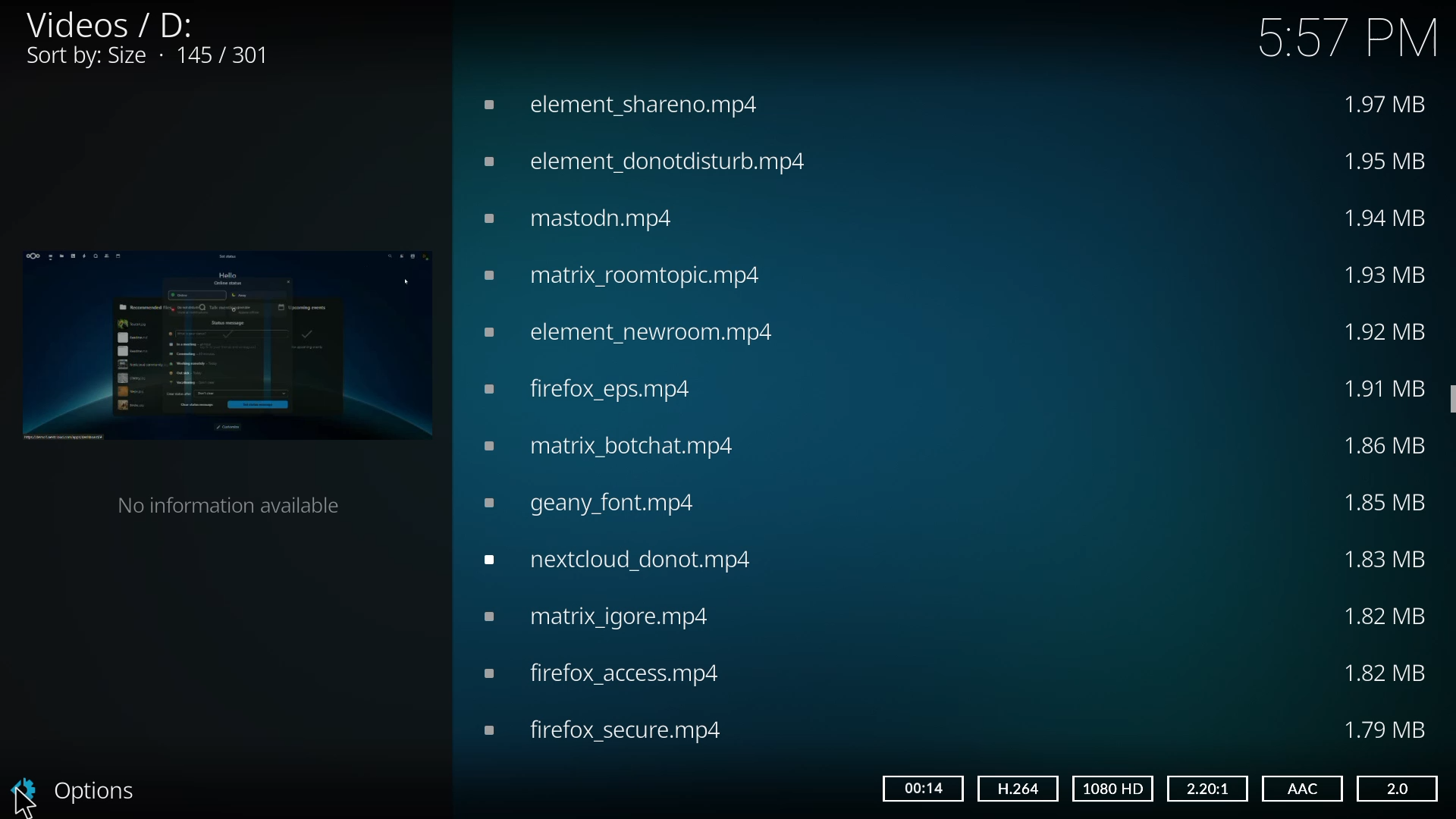 The width and height of the screenshot is (1456, 819). I want to click on size, so click(1385, 446).